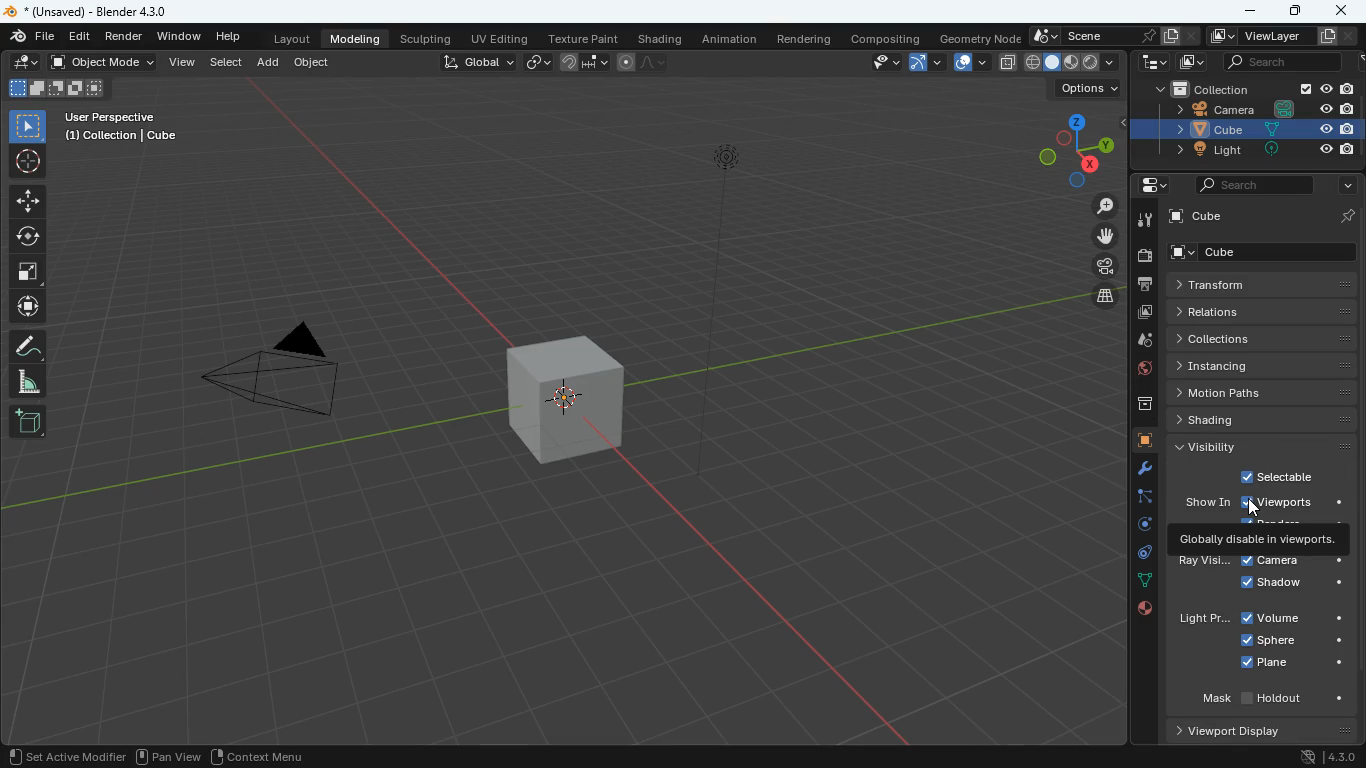 This screenshot has height=768, width=1366. I want to click on cursor, so click(1255, 507).